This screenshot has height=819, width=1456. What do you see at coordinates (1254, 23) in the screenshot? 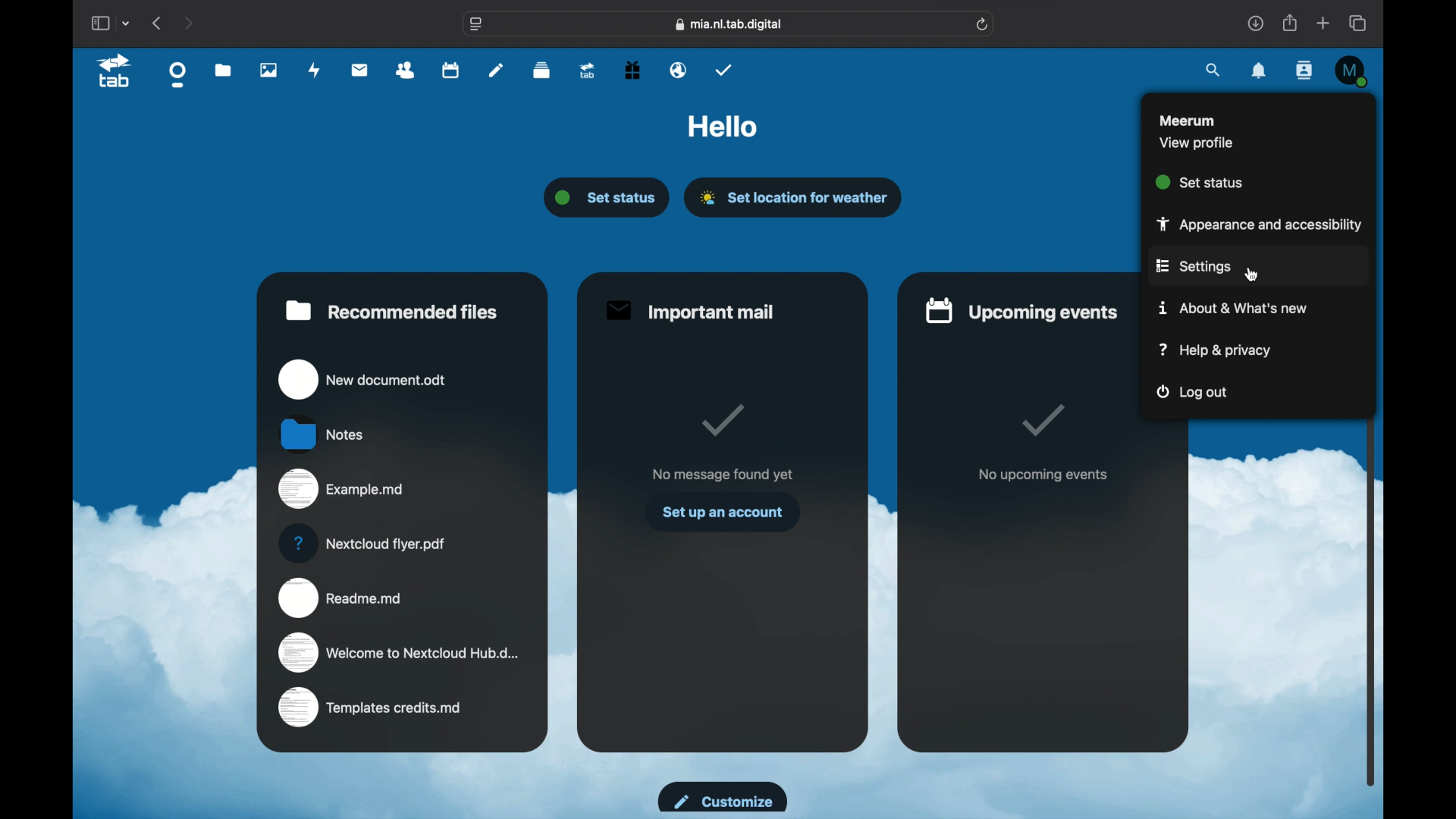
I see `downloads` at bounding box center [1254, 23].